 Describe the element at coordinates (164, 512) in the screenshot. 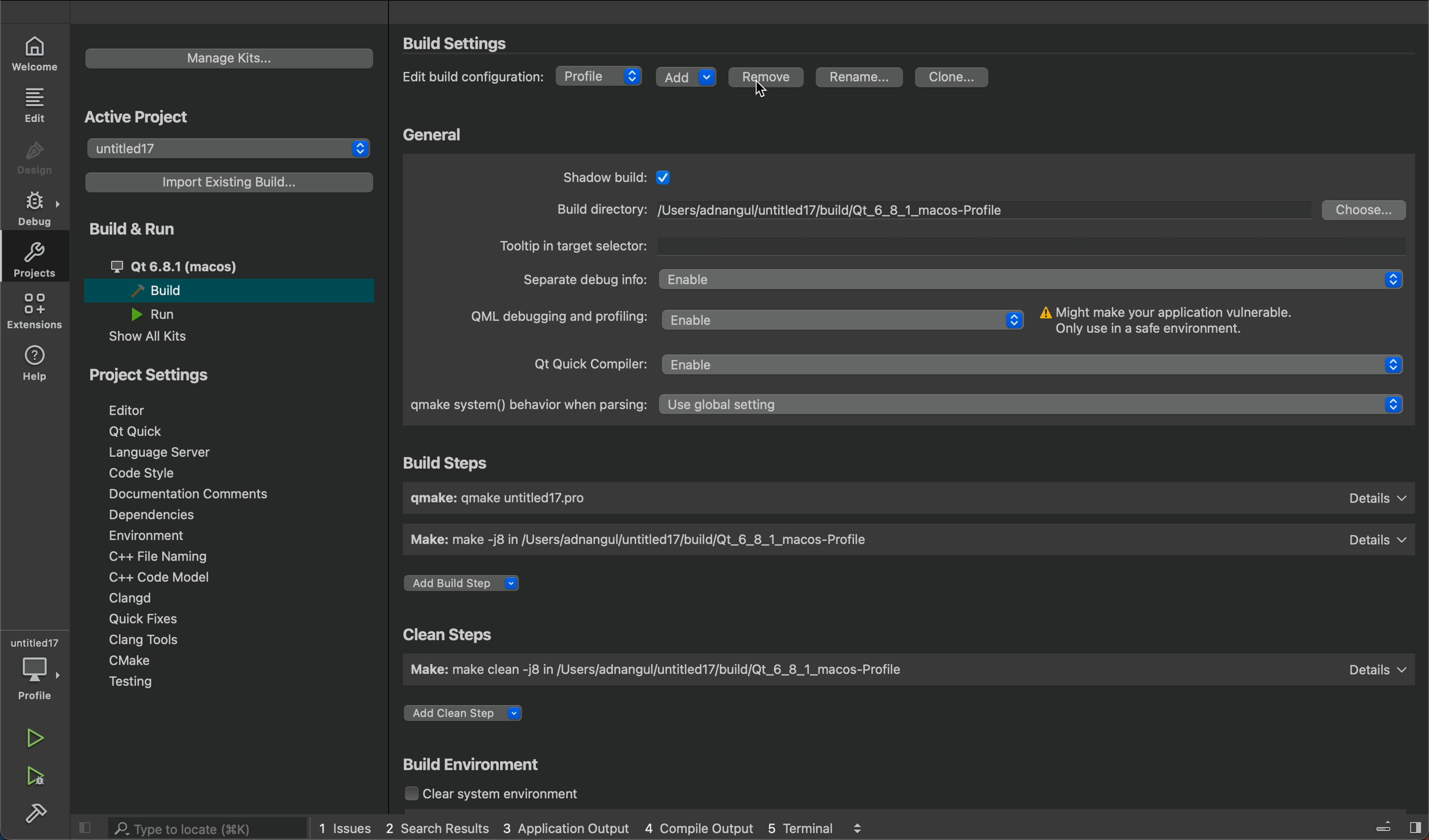

I see `dependencies` at that location.